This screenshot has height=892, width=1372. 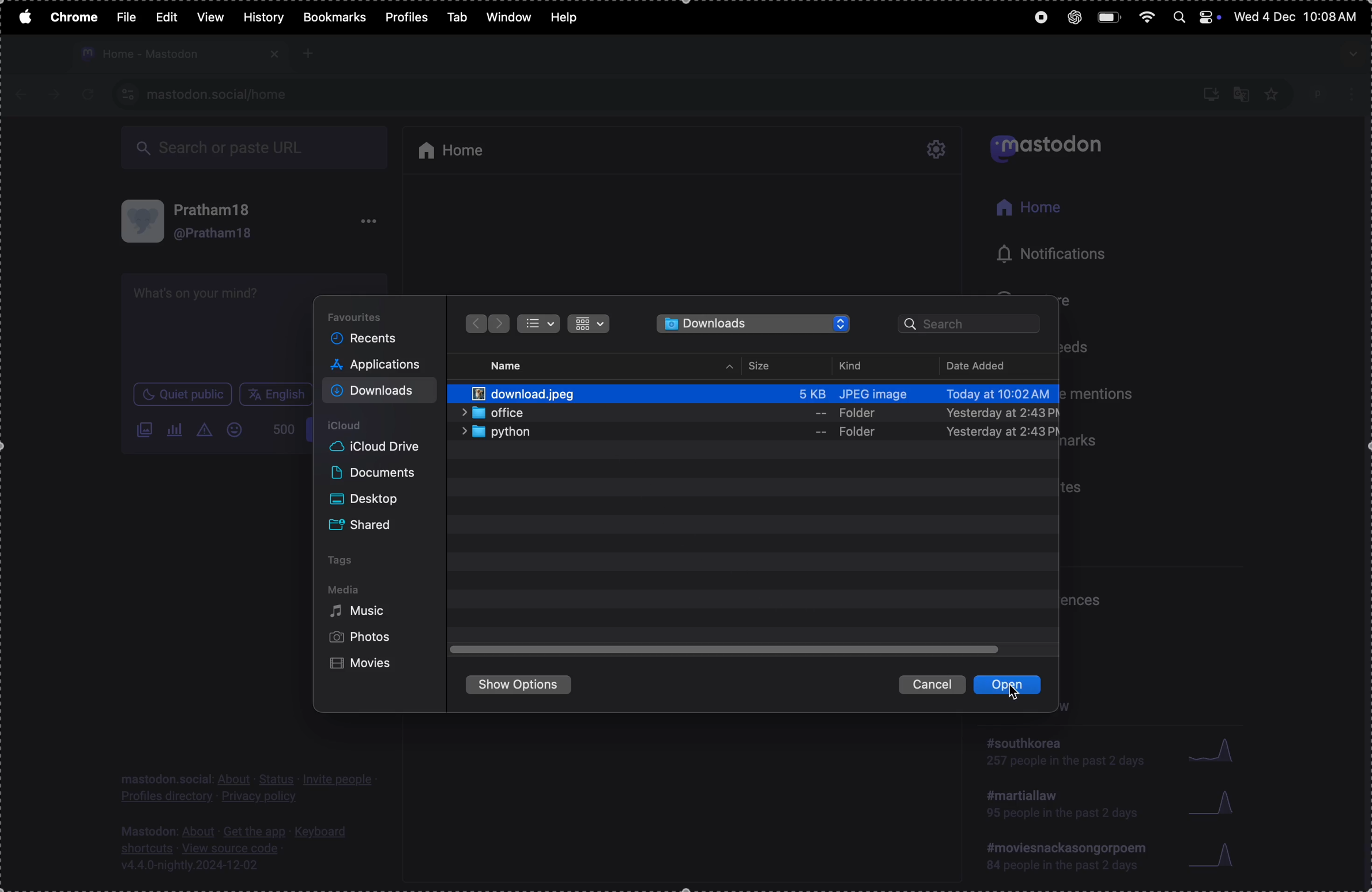 What do you see at coordinates (238, 848) in the screenshot?
I see `source code description` at bounding box center [238, 848].